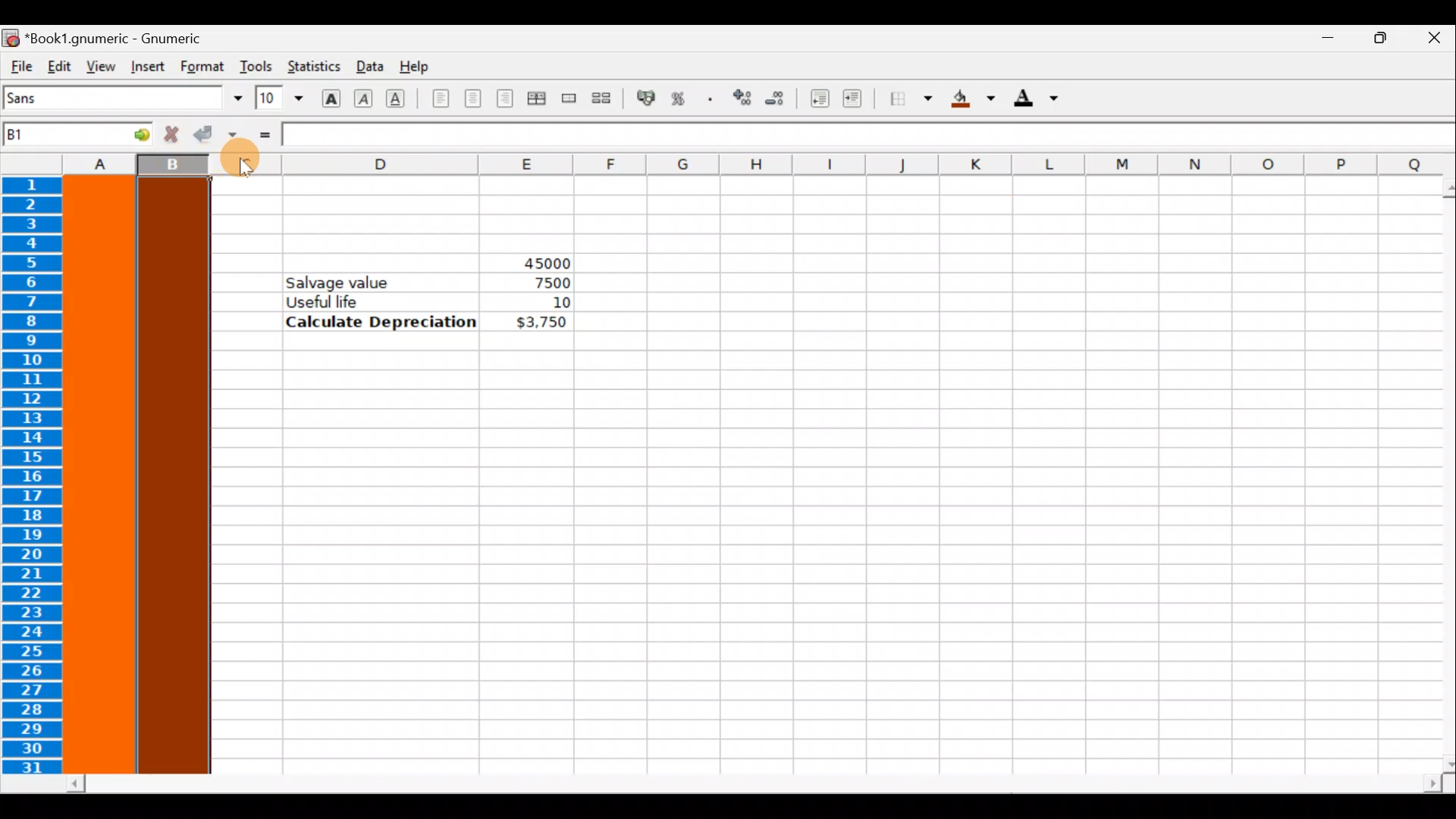 This screenshot has height=819, width=1456. Describe the element at coordinates (11, 37) in the screenshot. I see `Gnumeric logo` at that location.